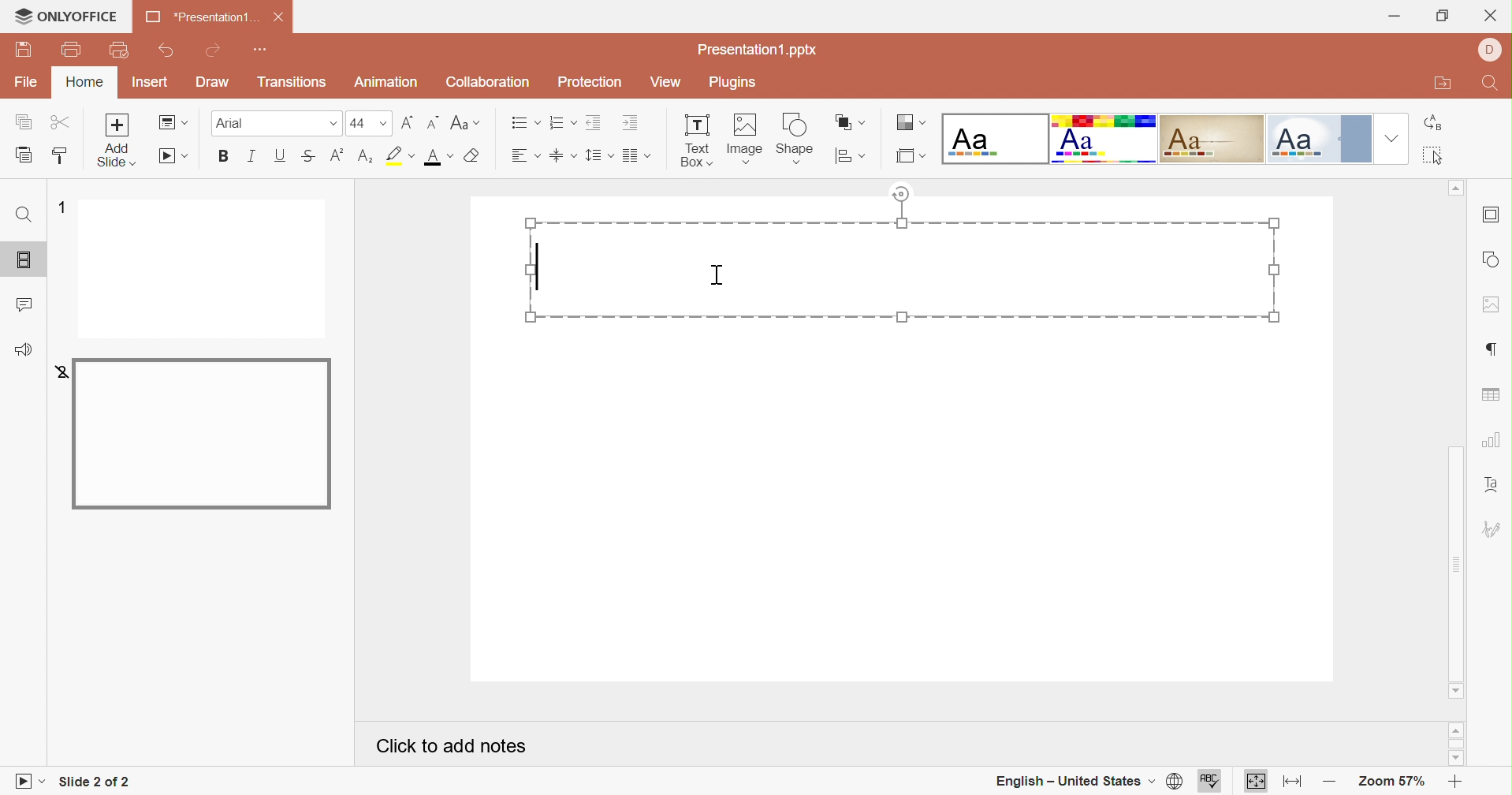  I want to click on Feedback & Support, so click(23, 352).